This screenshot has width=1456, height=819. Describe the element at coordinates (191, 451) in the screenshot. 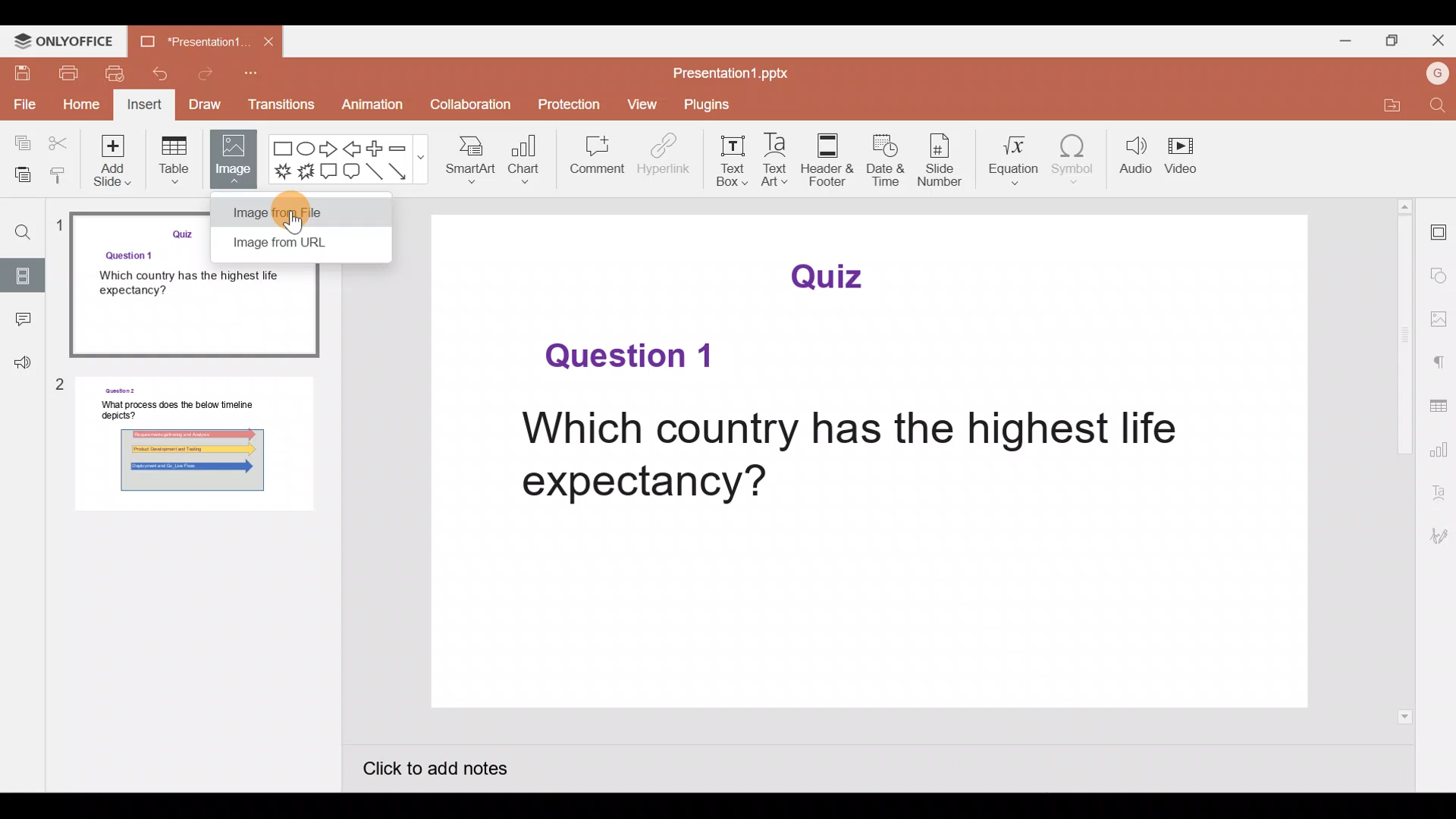

I see `Slide 2 preview` at that location.